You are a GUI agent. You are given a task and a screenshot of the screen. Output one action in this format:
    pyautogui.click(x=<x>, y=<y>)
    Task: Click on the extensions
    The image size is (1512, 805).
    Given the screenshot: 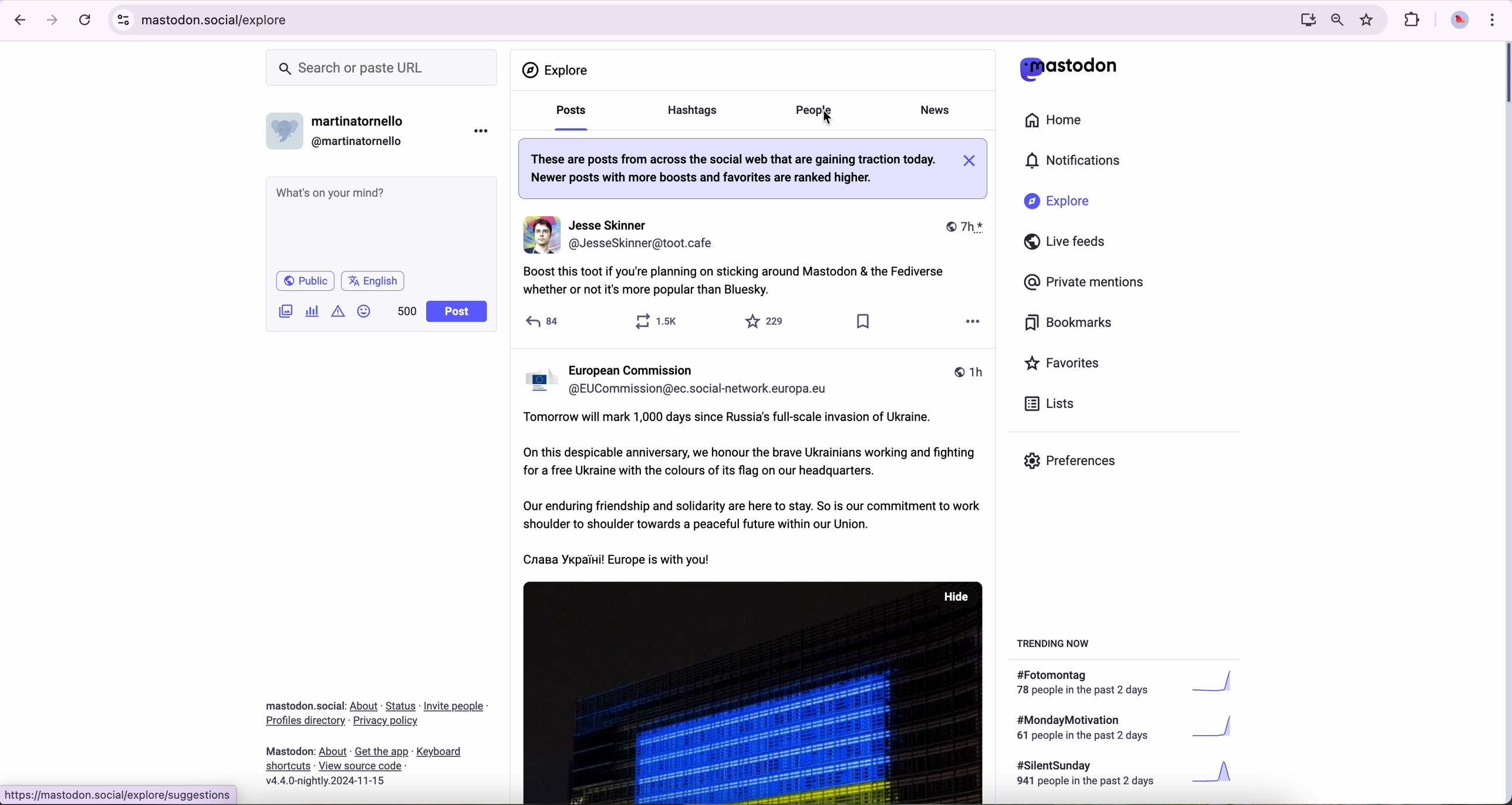 What is the action you would take?
    pyautogui.click(x=1413, y=20)
    